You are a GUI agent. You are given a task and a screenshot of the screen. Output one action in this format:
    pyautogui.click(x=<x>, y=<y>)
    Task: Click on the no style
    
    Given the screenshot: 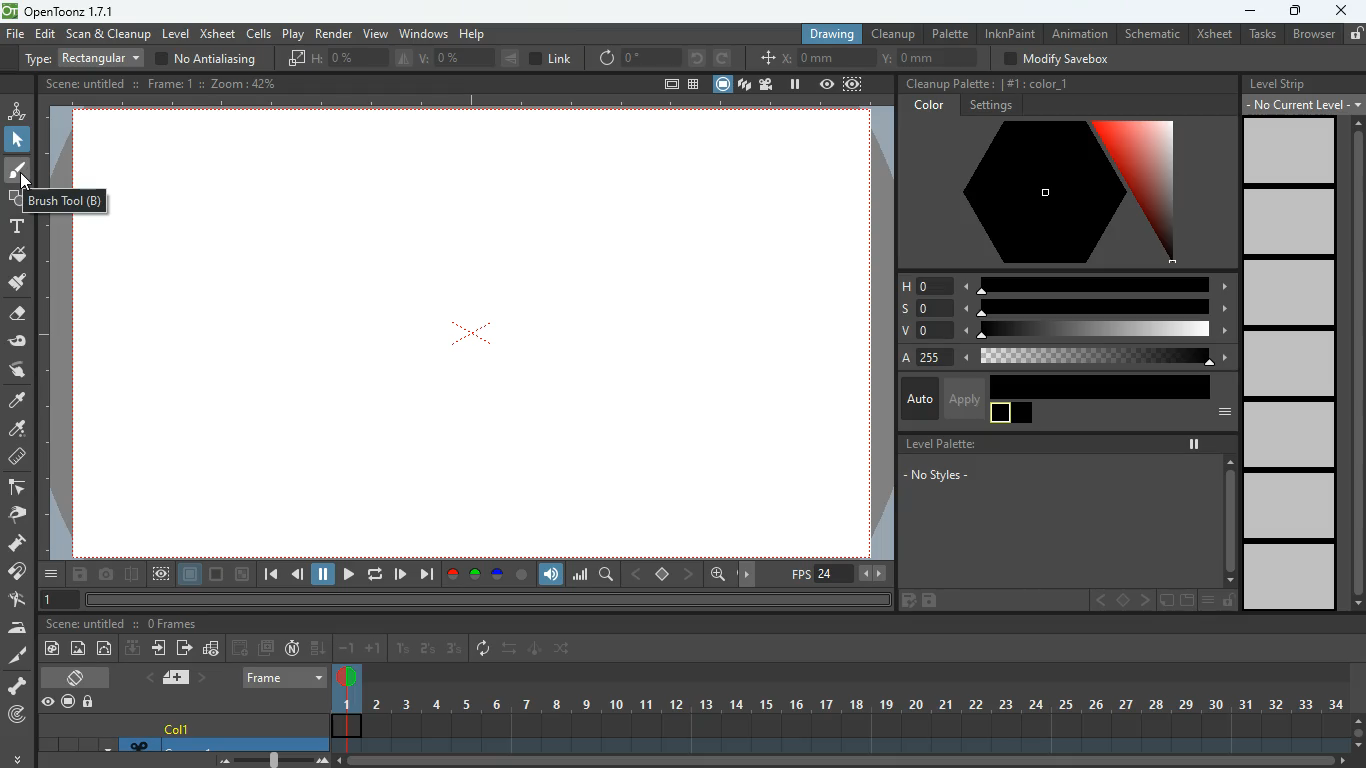 What is the action you would take?
    pyautogui.click(x=949, y=477)
    